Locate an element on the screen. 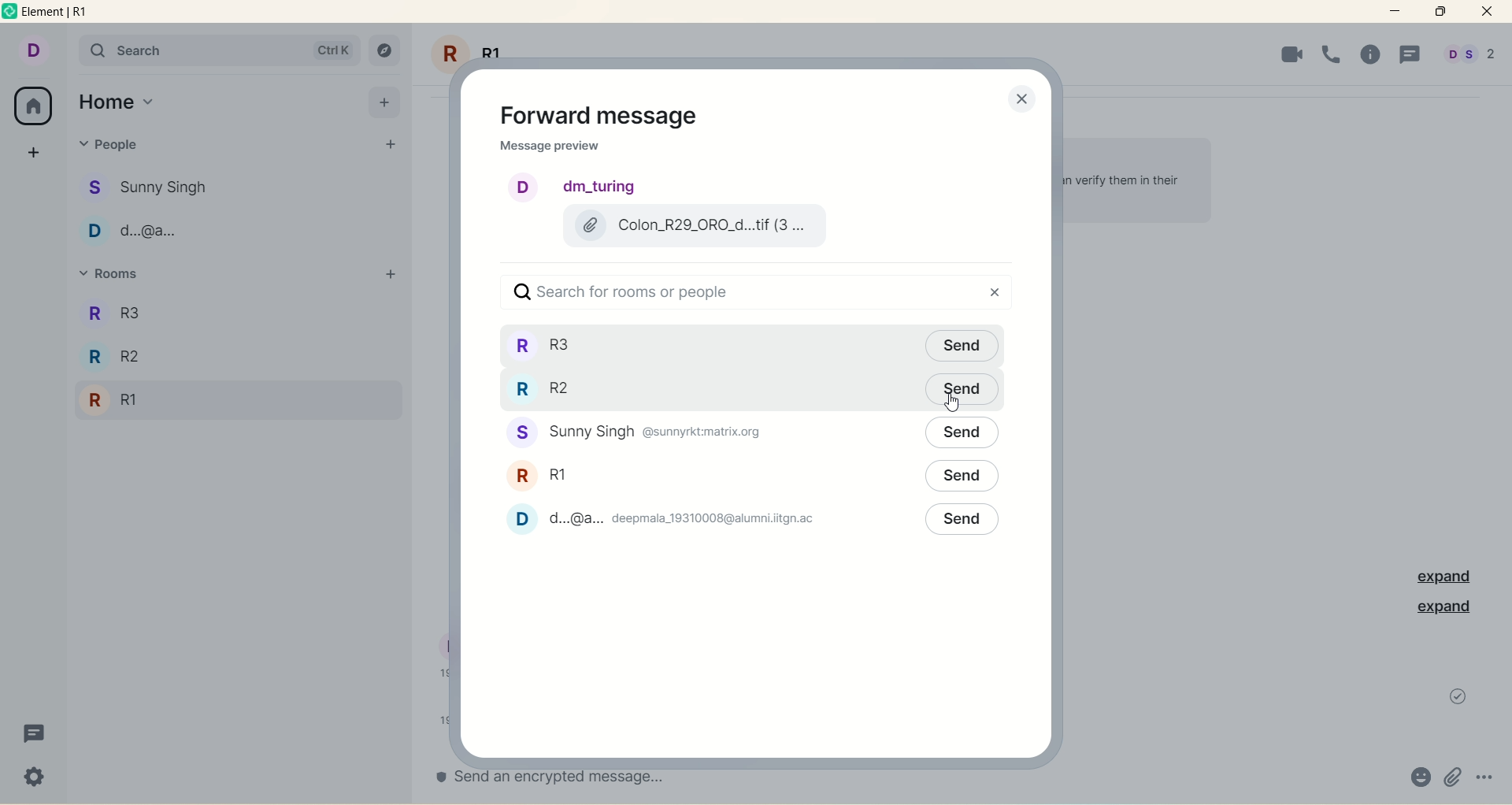 The image size is (1512, 805). search is located at coordinates (745, 293).